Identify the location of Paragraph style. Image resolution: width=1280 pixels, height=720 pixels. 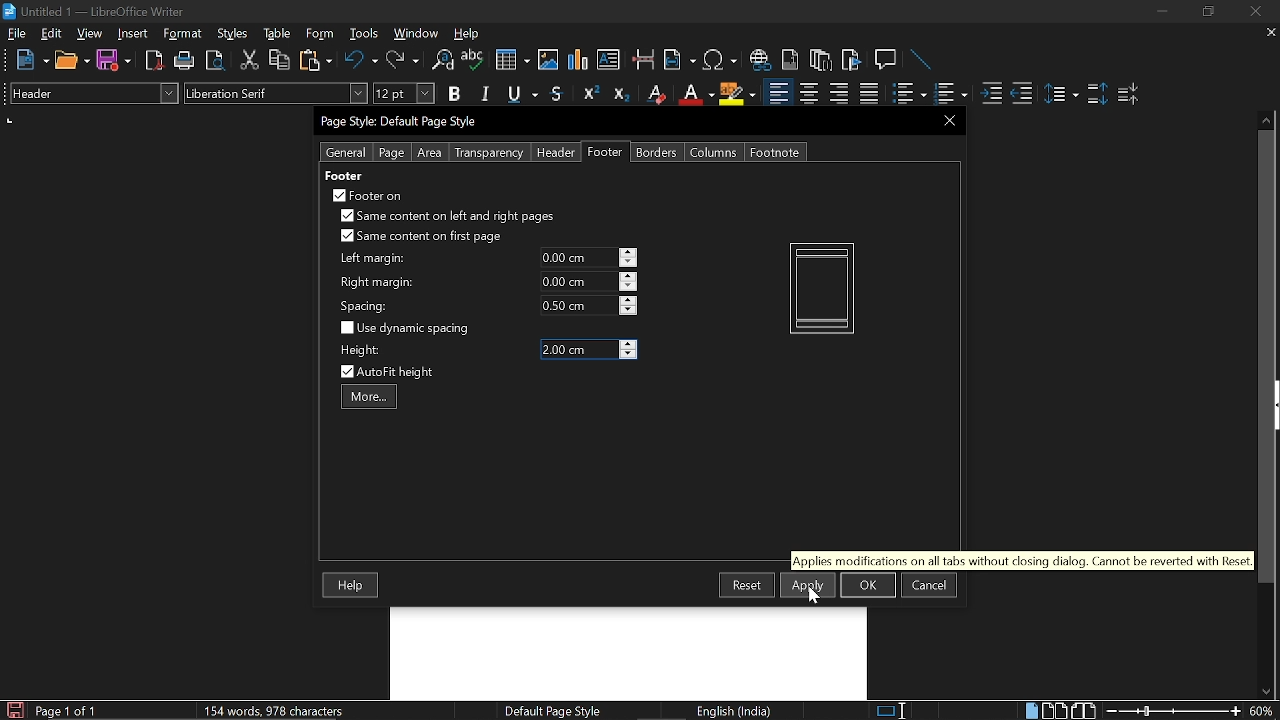
(91, 93).